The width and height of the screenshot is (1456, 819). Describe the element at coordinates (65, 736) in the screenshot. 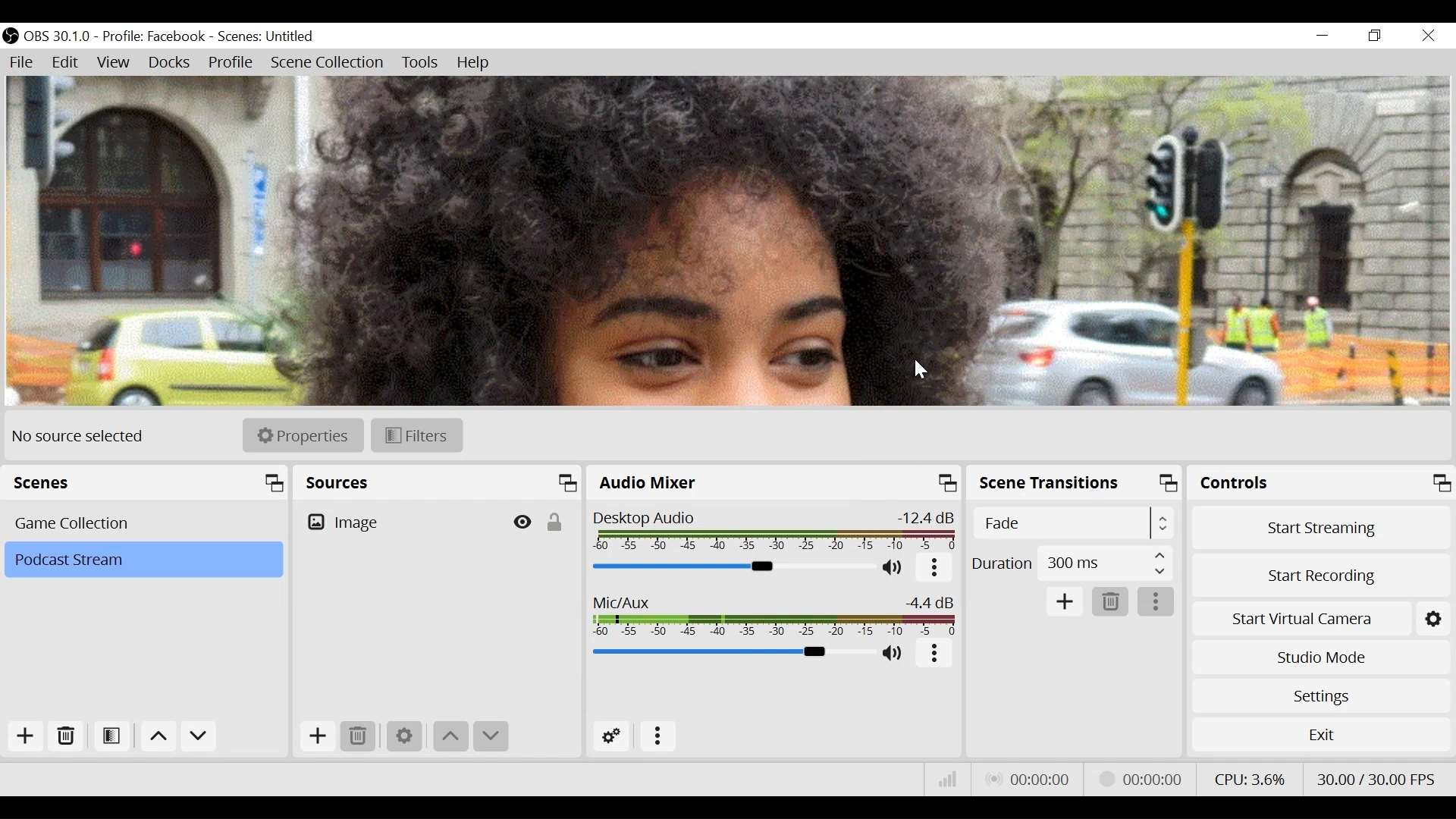

I see `Delete` at that location.